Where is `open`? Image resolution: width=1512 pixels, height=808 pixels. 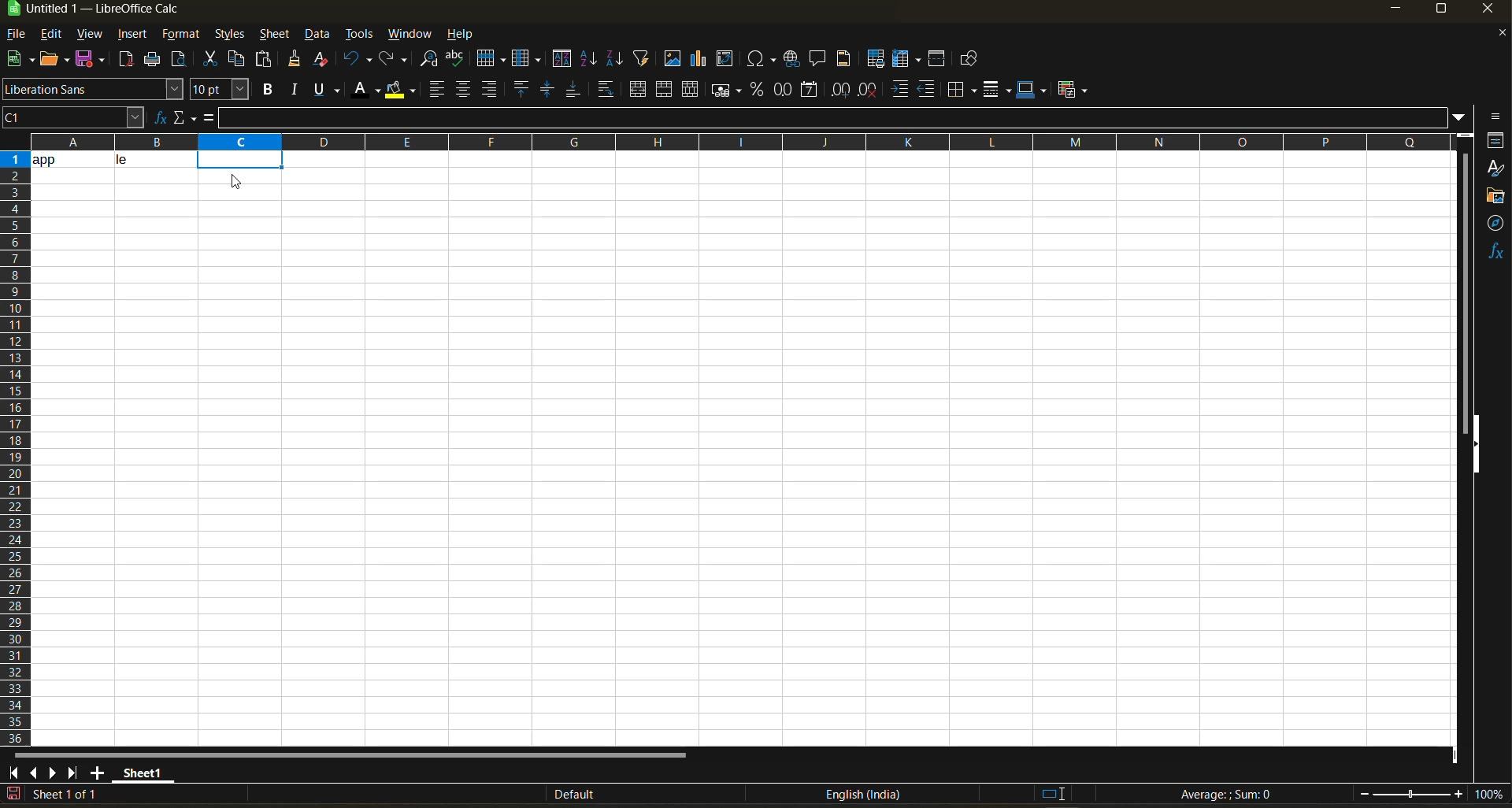 open is located at coordinates (56, 60).